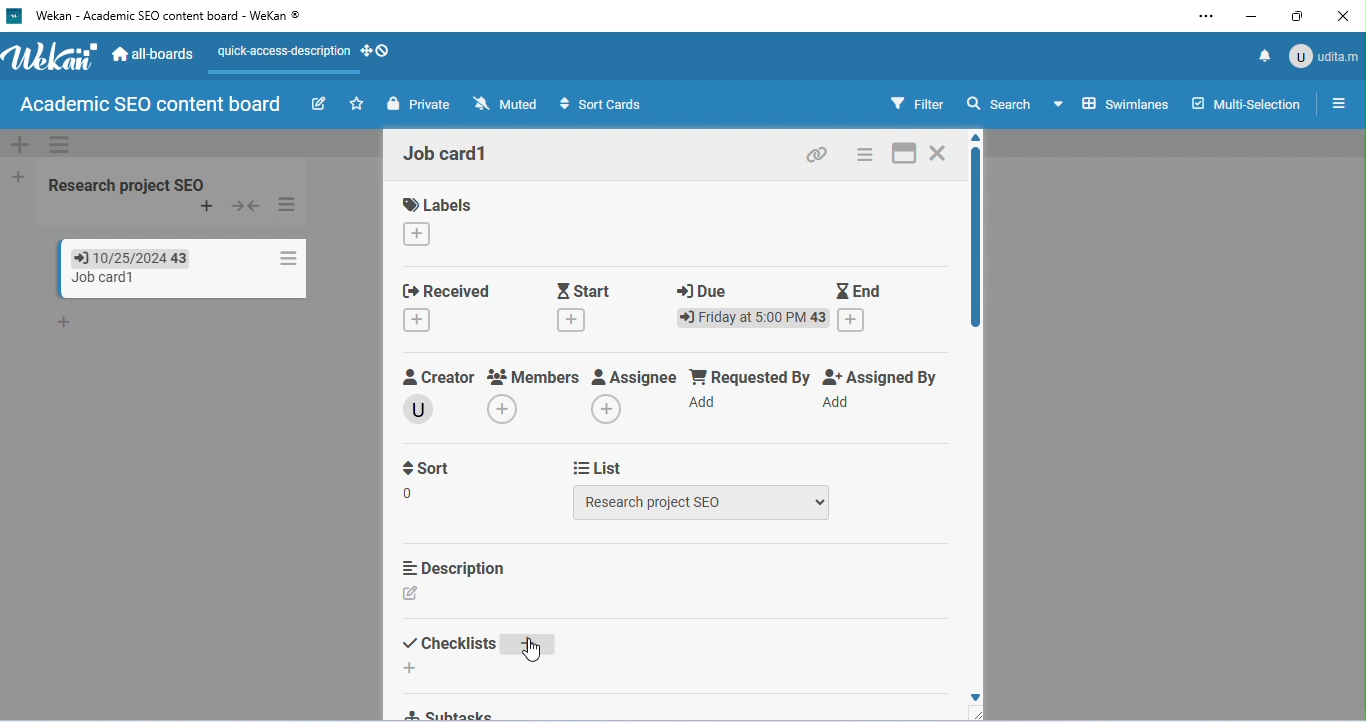 This screenshot has width=1366, height=722. What do you see at coordinates (377, 51) in the screenshot?
I see `how desktop drag handles` at bounding box center [377, 51].